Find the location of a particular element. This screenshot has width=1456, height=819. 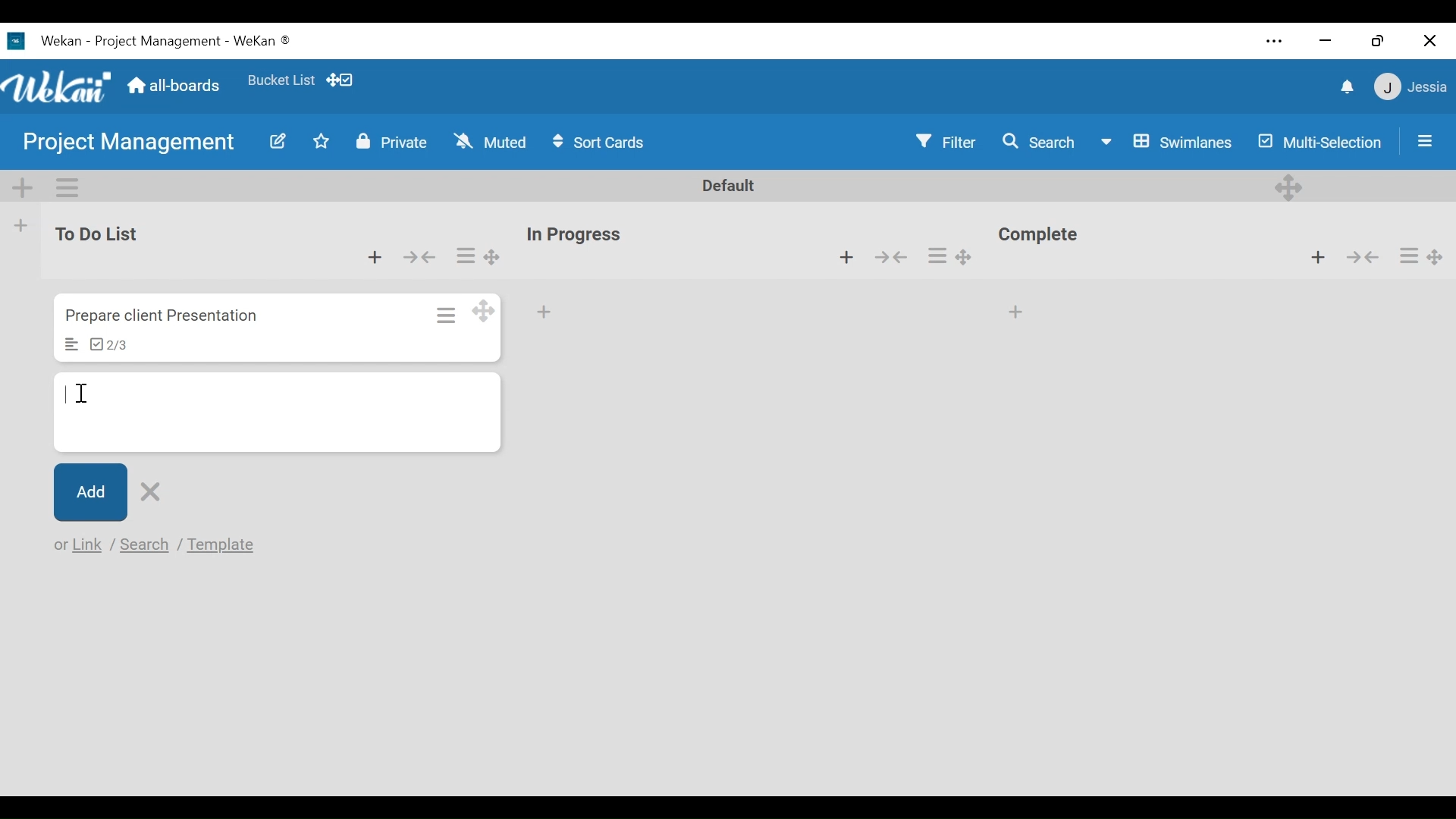

Add Swimlane is located at coordinates (24, 184).